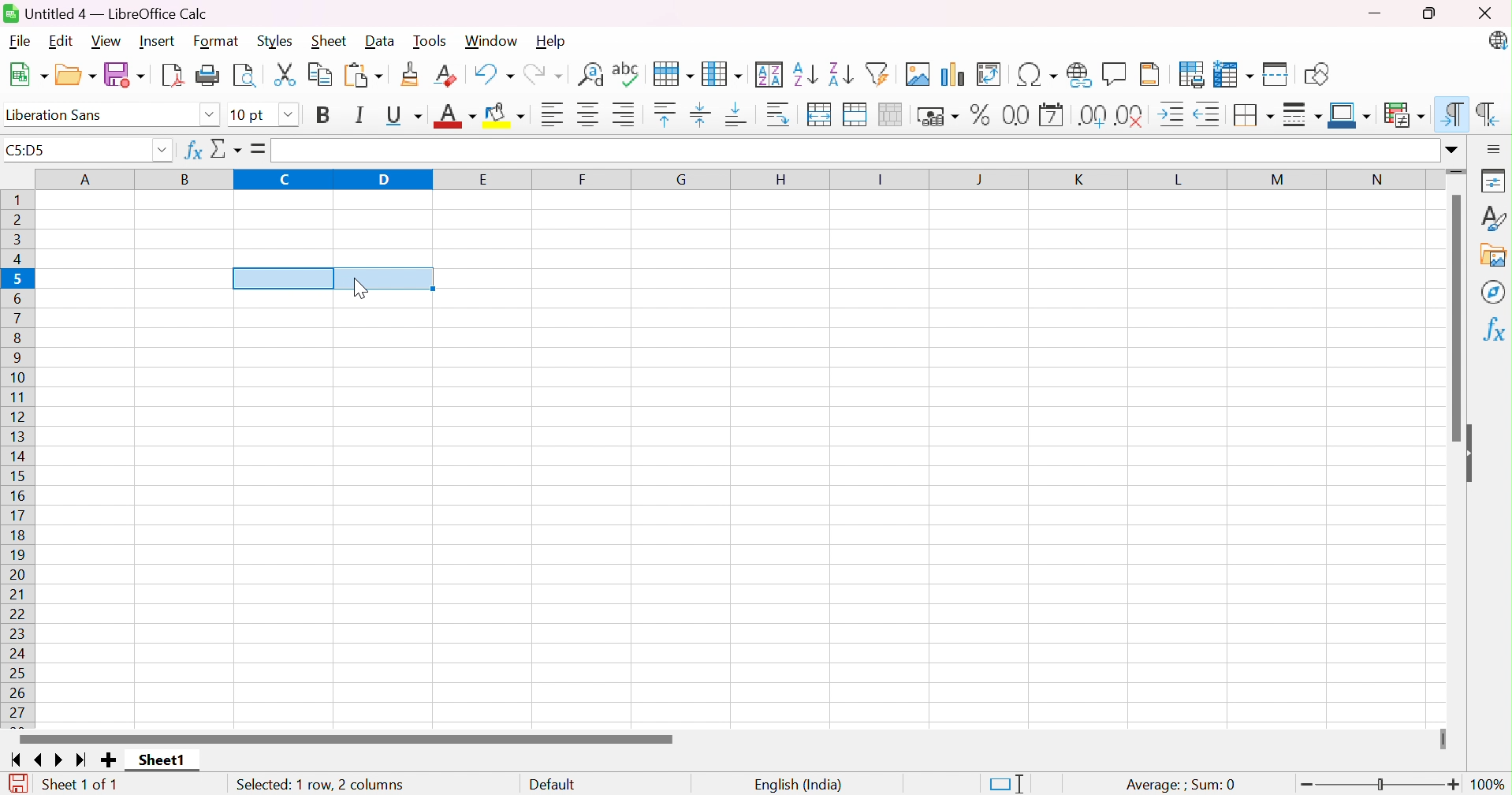 The height and width of the screenshot is (795, 1512). Describe the element at coordinates (1493, 216) in the screenshot. I see `Styles` at that location.